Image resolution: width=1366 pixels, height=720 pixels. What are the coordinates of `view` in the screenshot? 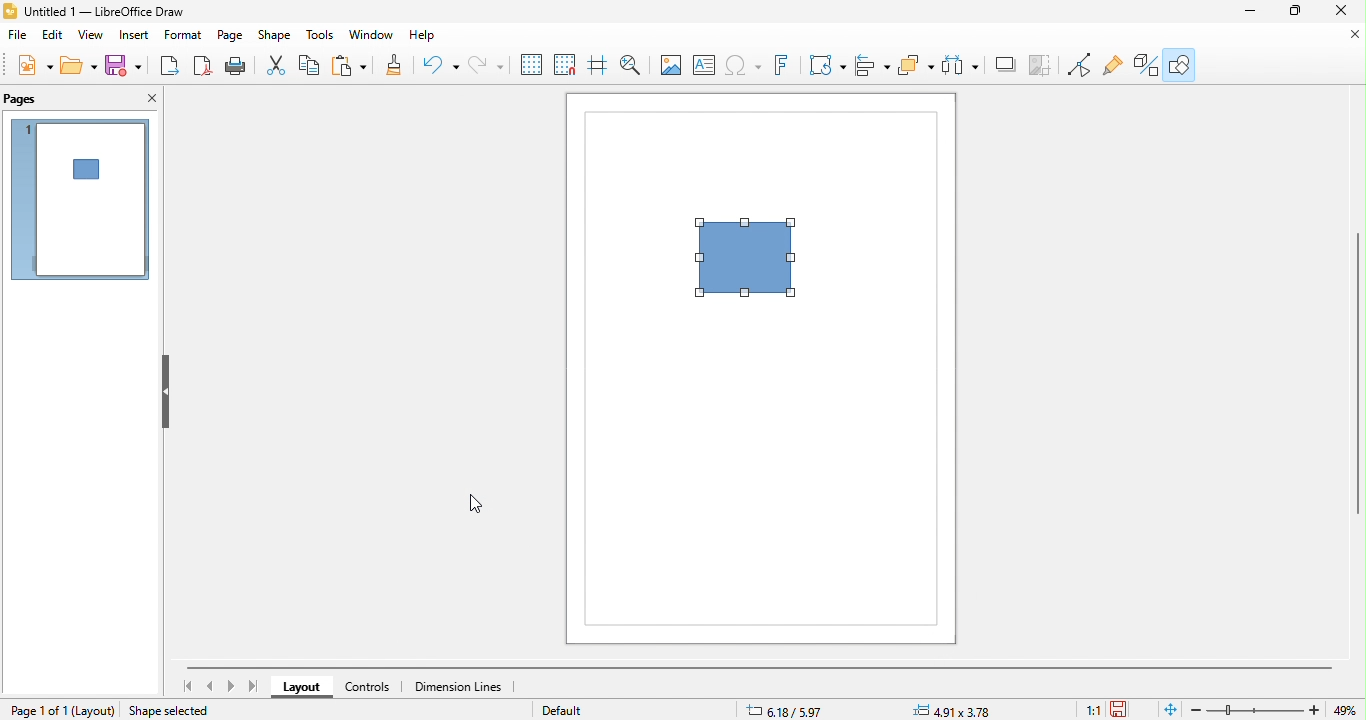 It's located at (92, 36).